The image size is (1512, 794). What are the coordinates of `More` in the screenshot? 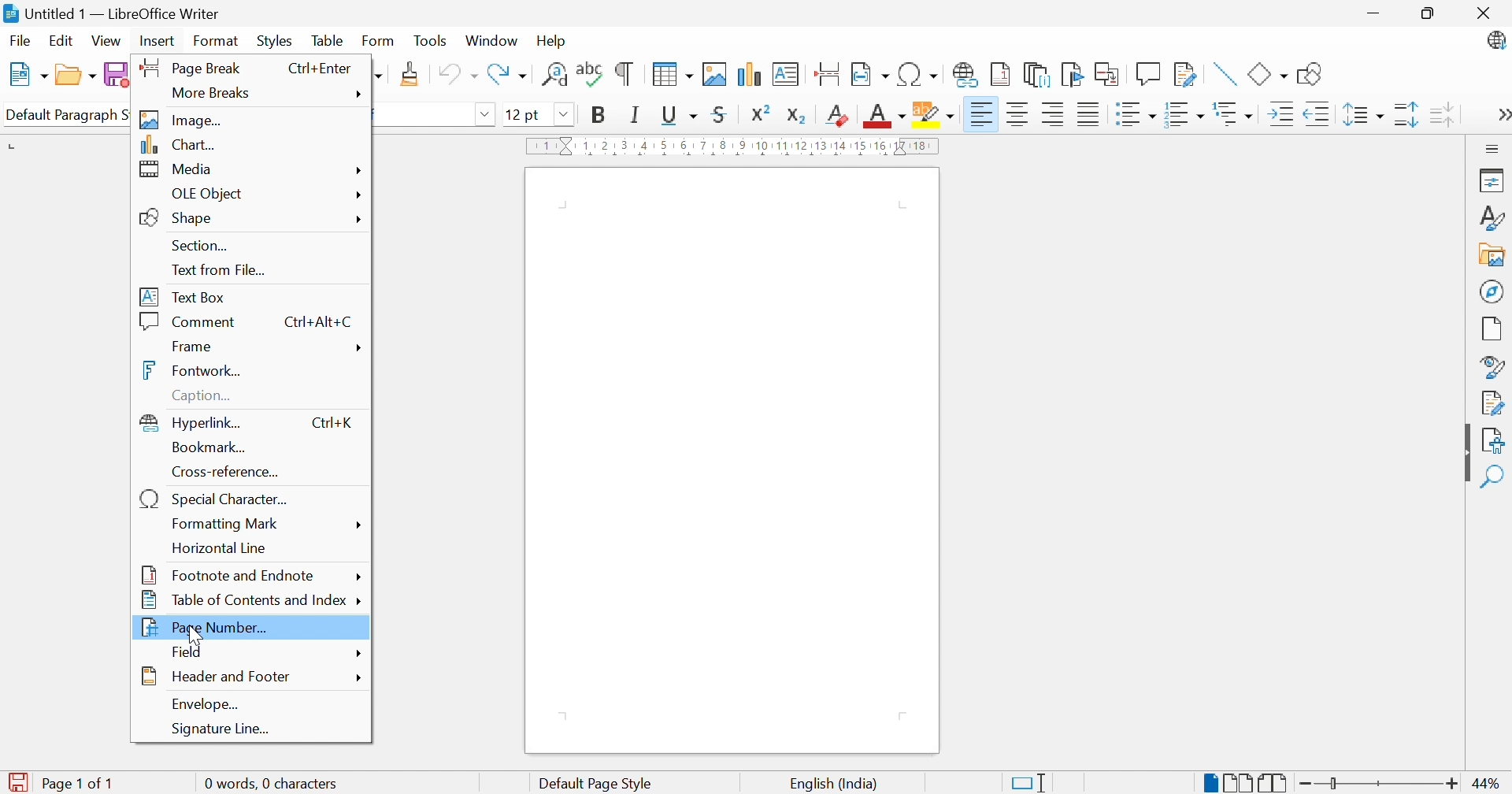 It's located at (362, 601).